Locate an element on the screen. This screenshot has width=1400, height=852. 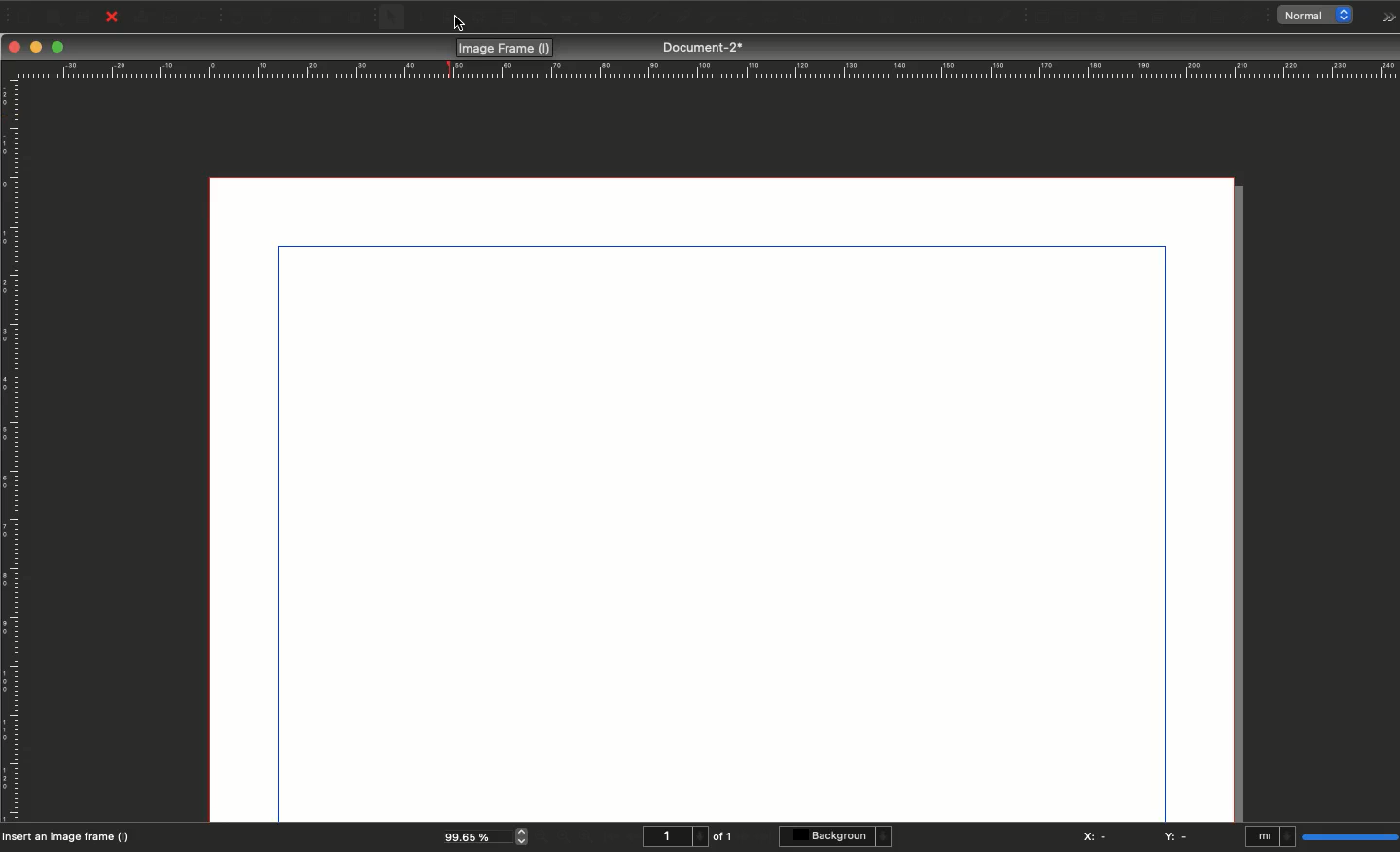
Eye dropper is located at coordinates (1004, 18).